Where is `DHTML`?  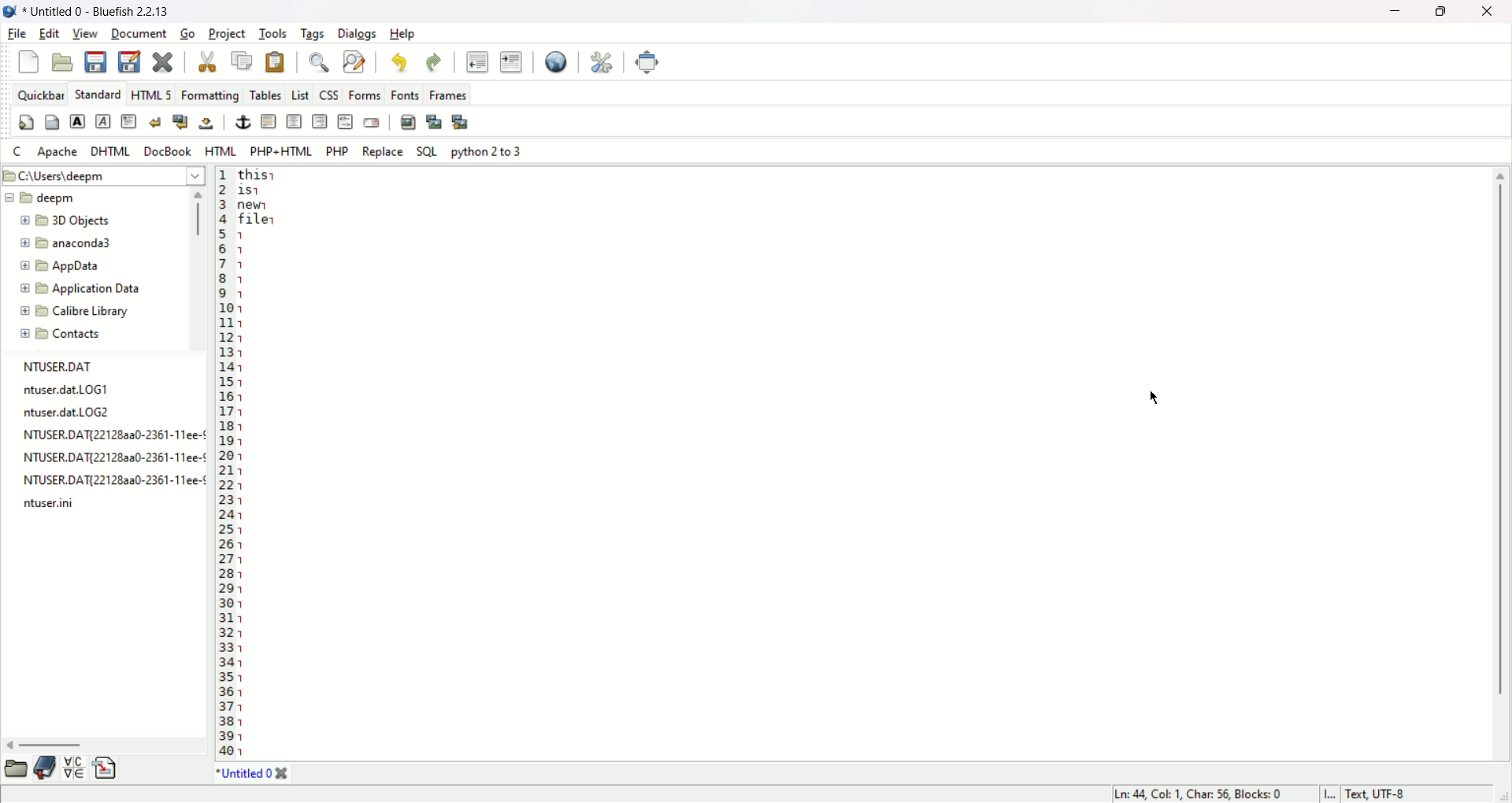
DHTML is located at coordinates (109, 150).